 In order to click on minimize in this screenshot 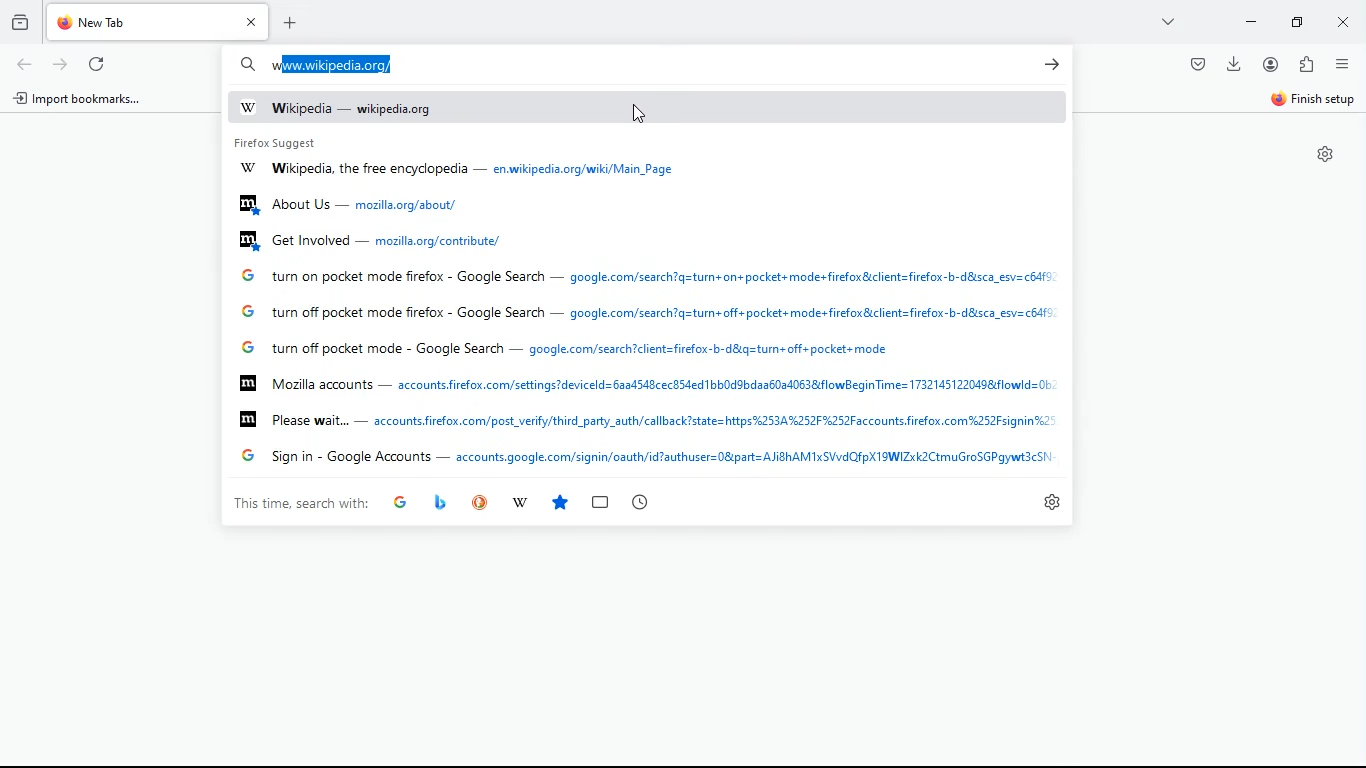, I will do `click(1252, 23)`.